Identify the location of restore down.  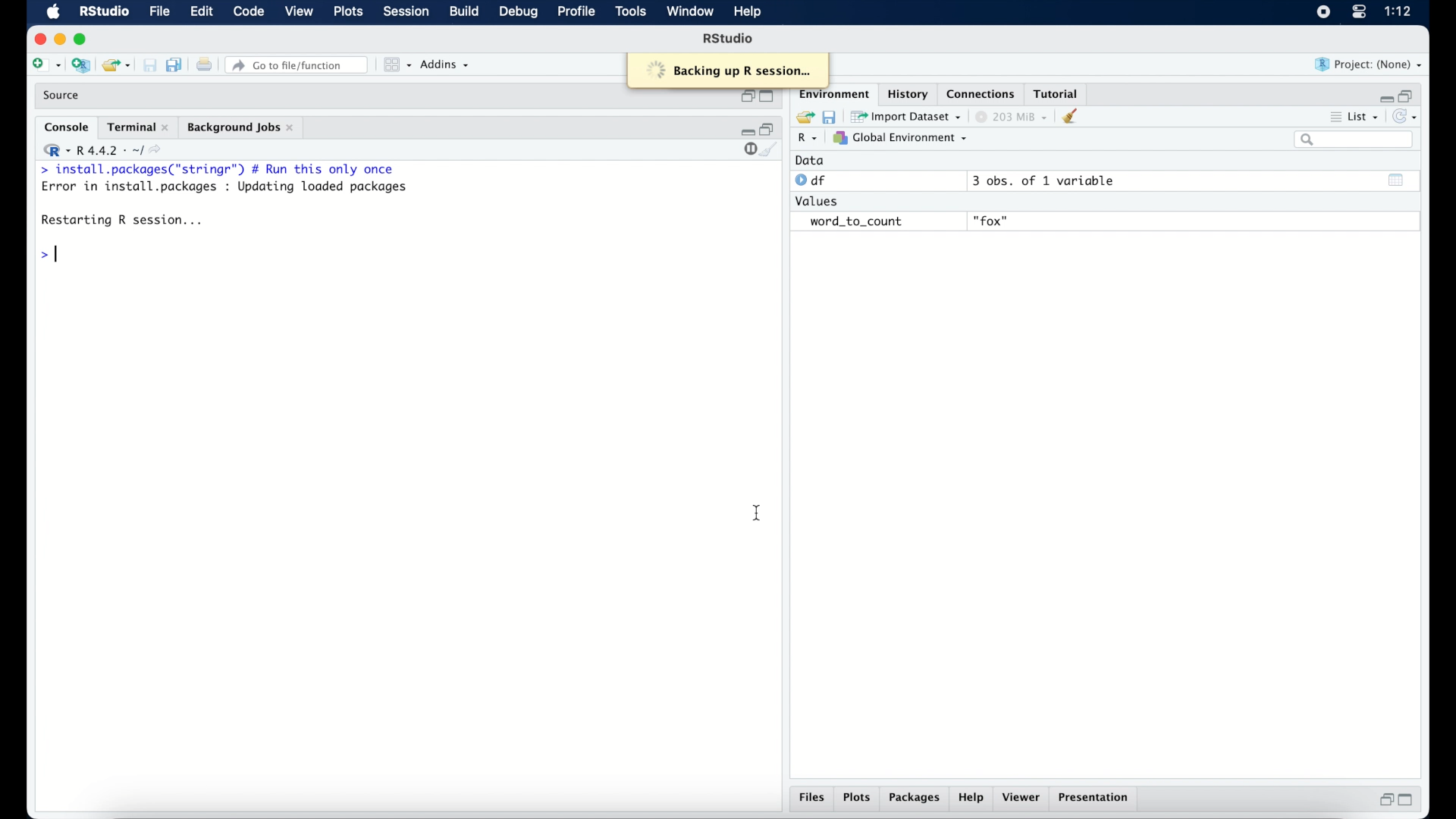
(1407, 95).